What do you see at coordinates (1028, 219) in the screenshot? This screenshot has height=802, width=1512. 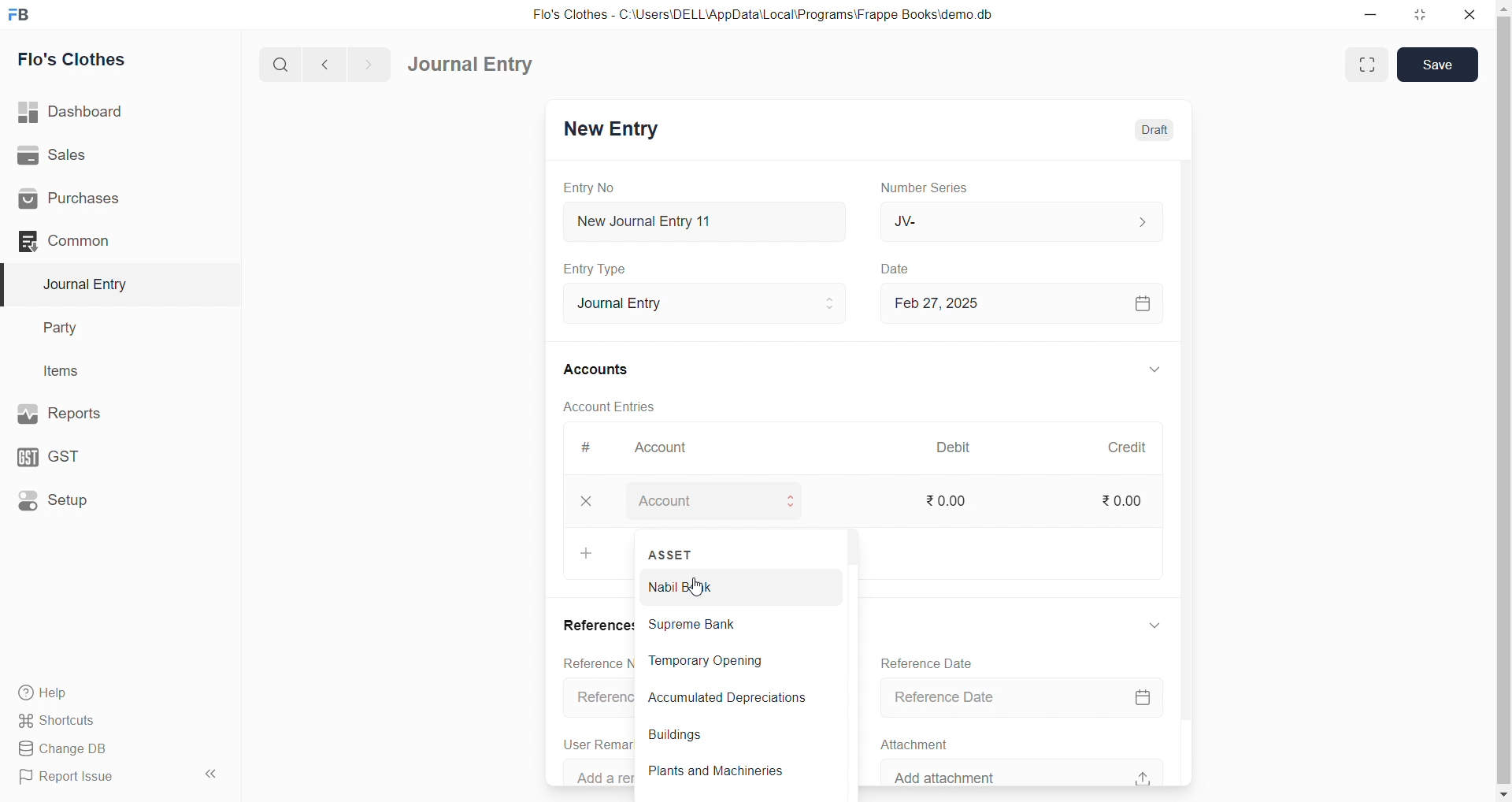 I see `JV-` at bounding box center [1028, 219].